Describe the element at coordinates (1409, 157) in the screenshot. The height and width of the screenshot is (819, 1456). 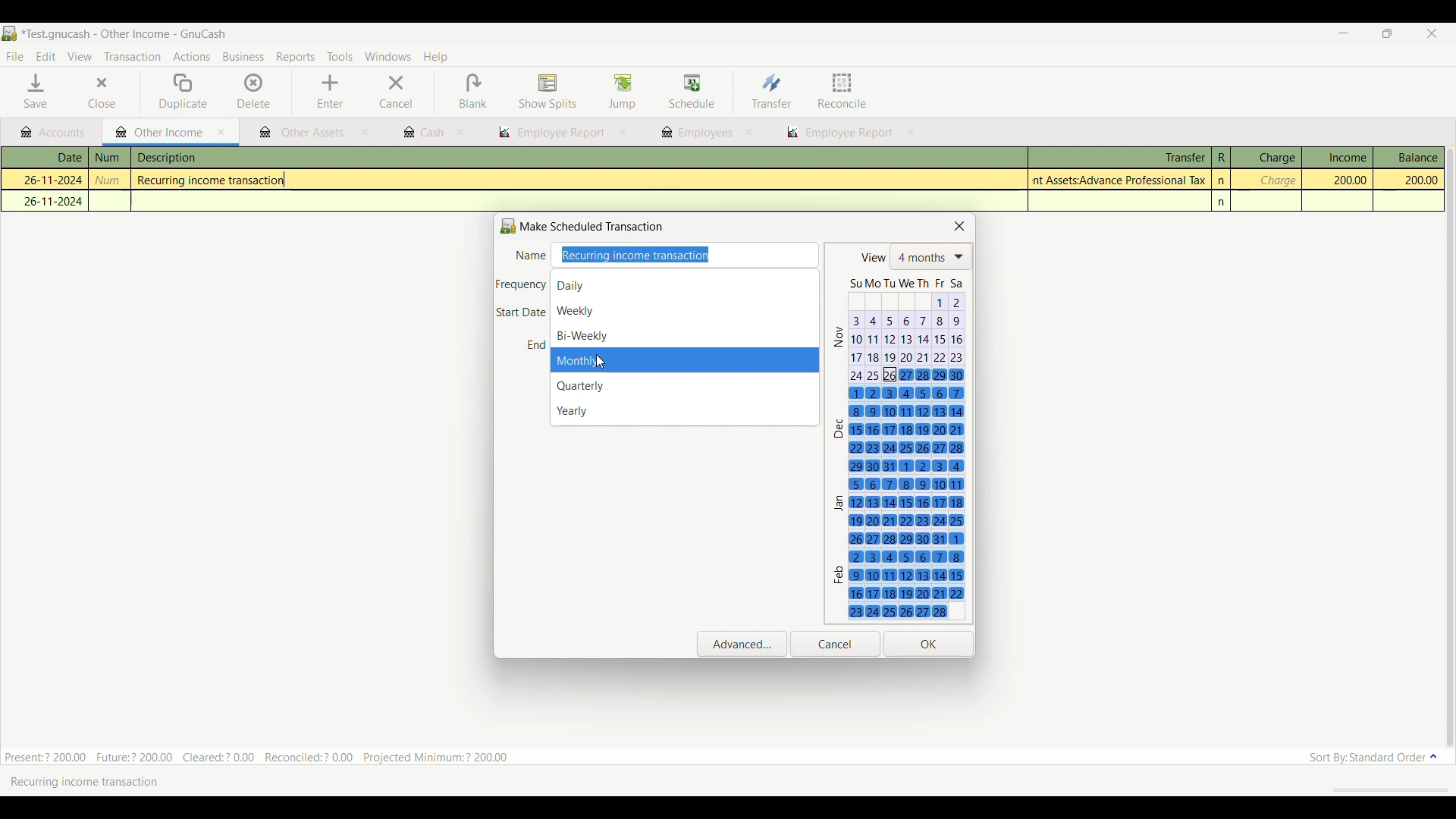
I see `Balance column` at that location.